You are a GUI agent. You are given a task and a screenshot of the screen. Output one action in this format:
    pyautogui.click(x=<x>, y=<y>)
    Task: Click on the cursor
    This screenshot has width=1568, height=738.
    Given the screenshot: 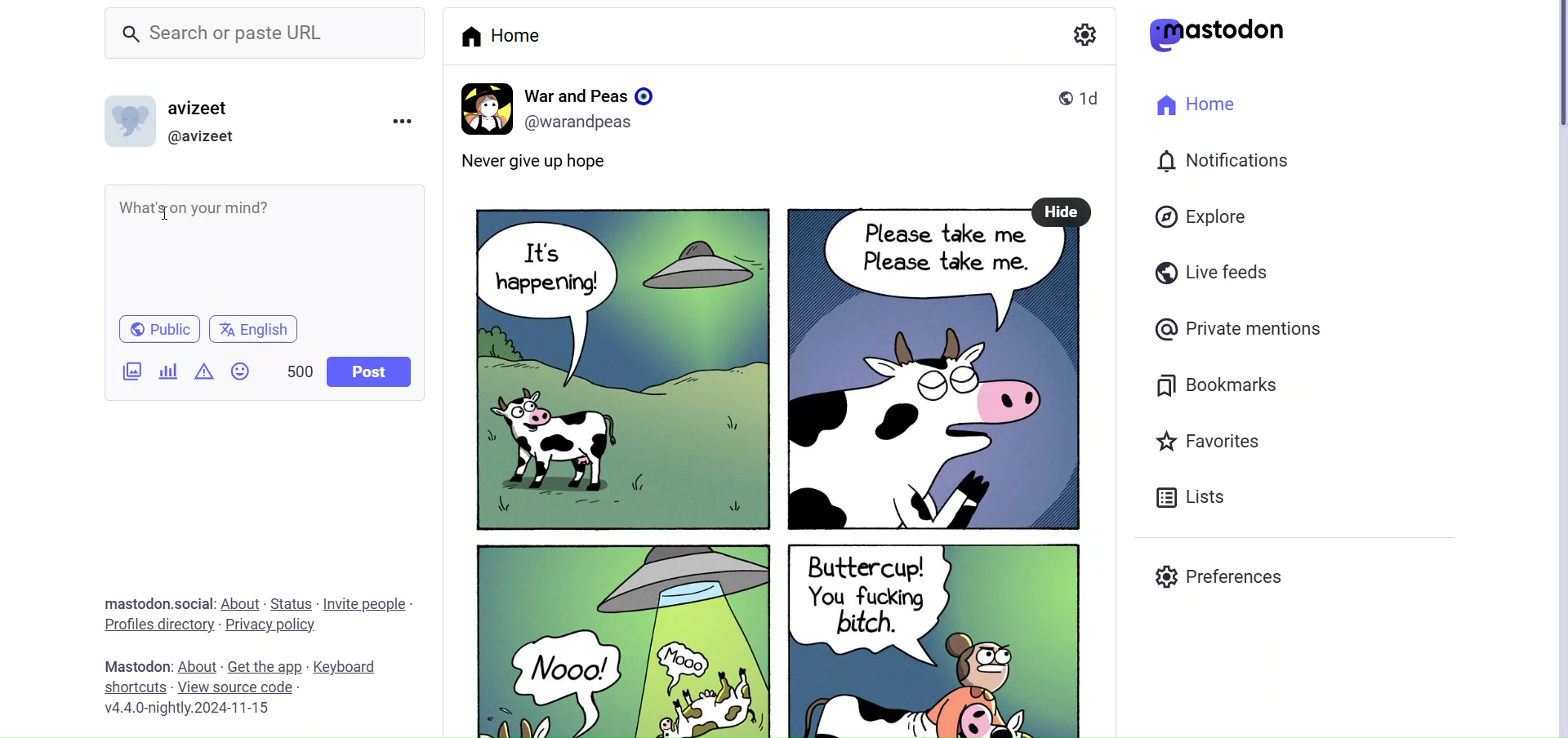 What is the action you would take?
    pyautogui.click(x=175, y=218)
    